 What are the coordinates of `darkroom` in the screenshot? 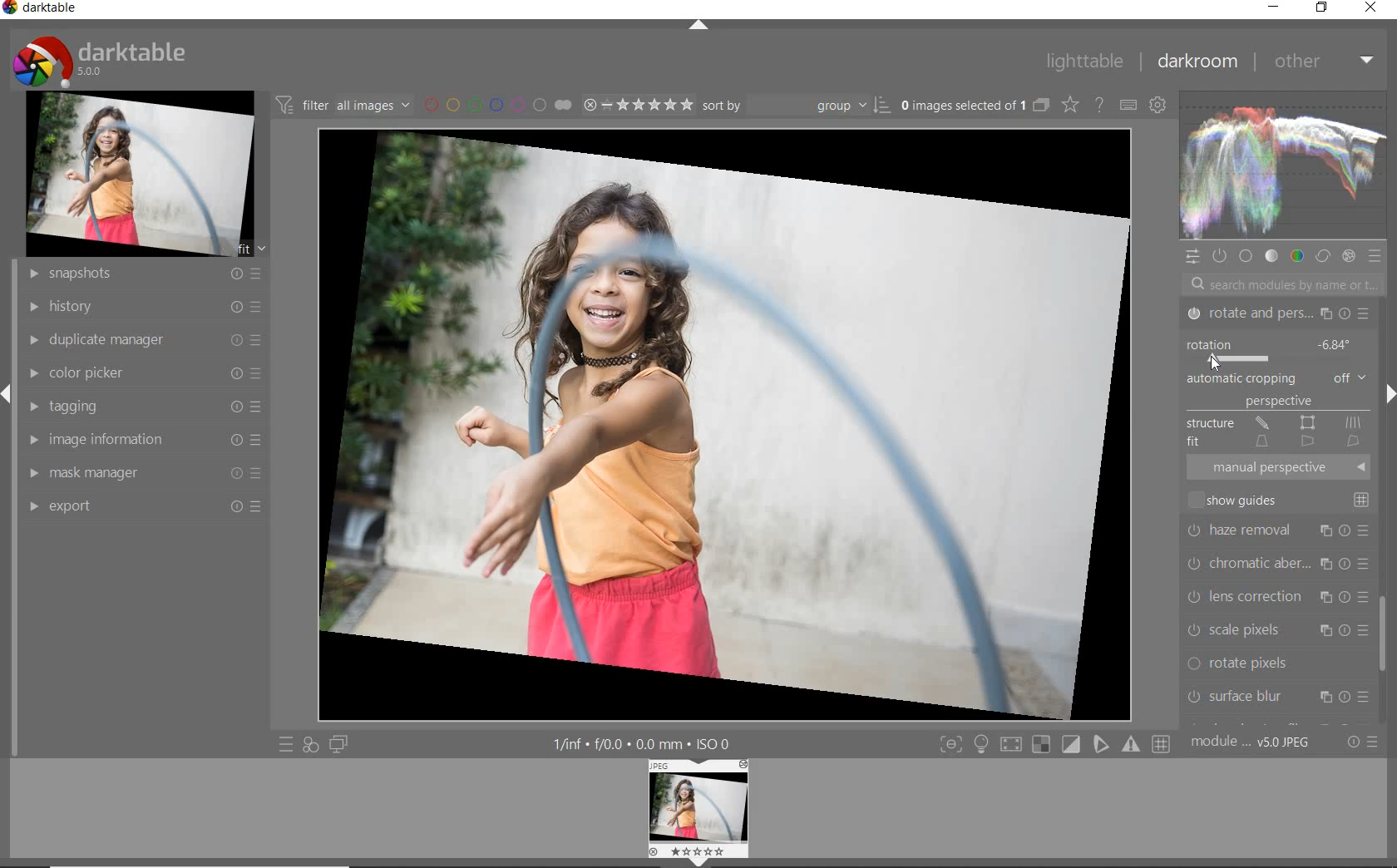 It's located at (1198, 60).